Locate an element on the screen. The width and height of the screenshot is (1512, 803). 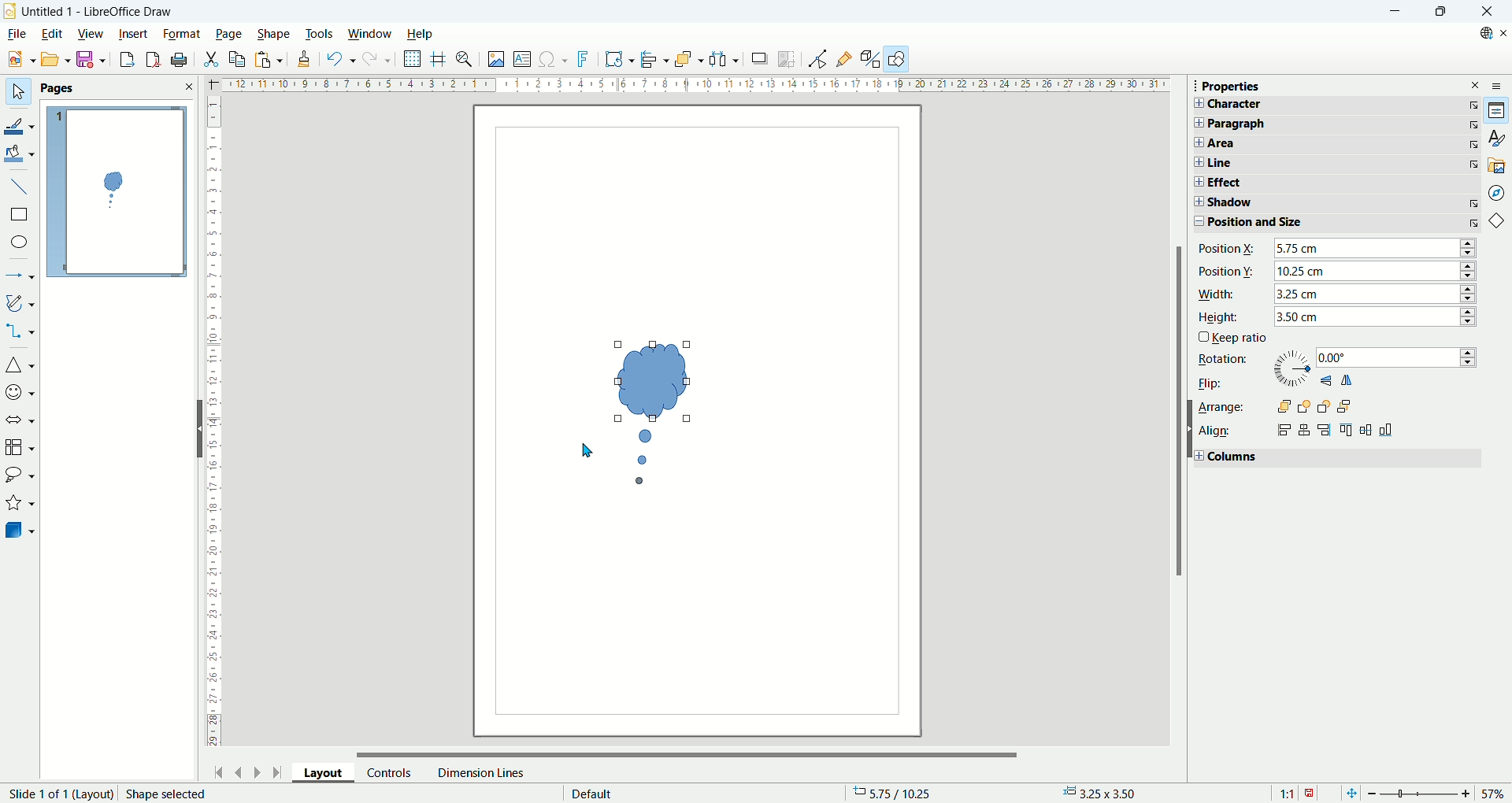
Arrange is located at coordinates (1220, 407).